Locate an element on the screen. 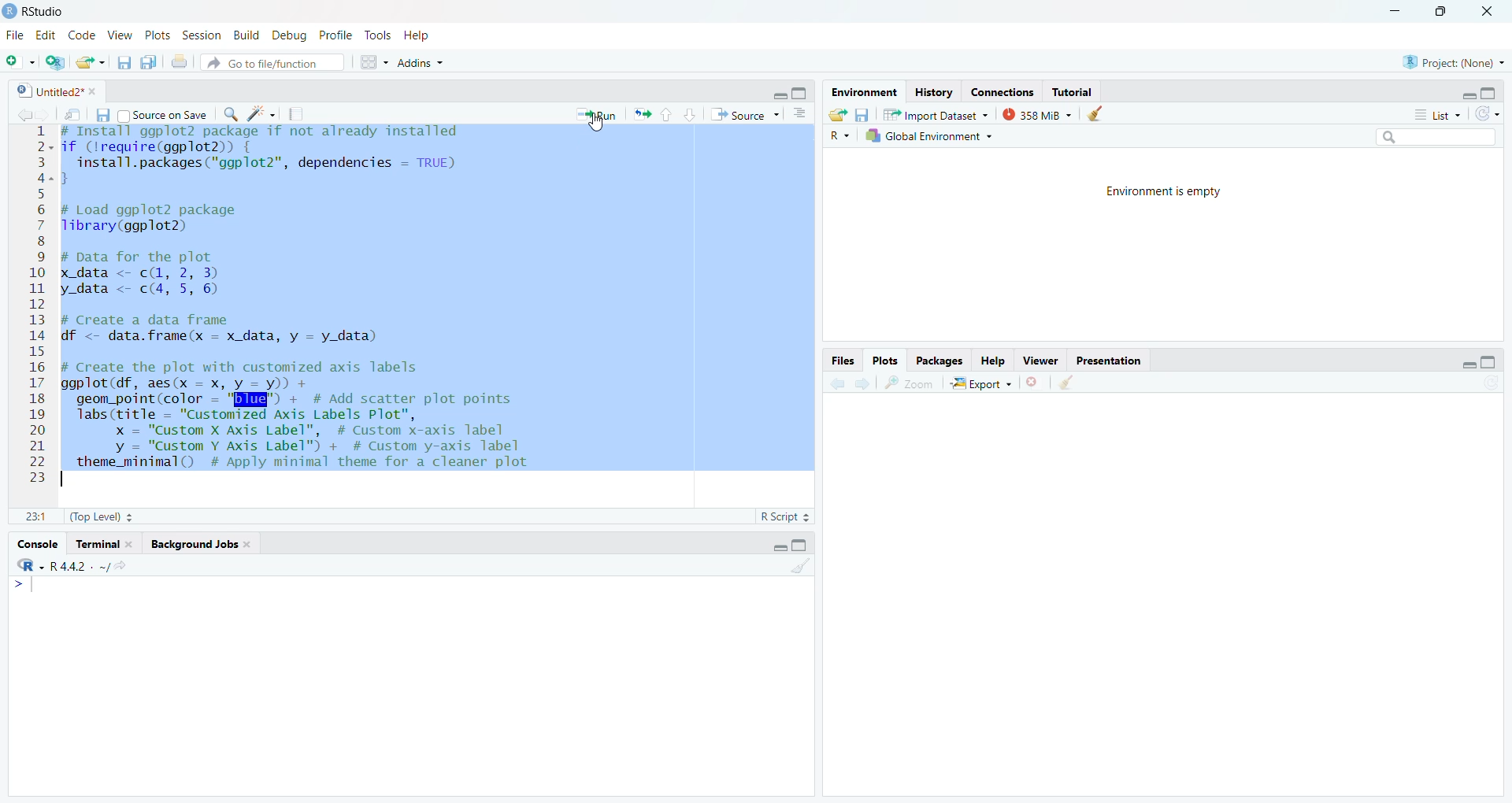  Project: (None) is located at coordinates (1452, 62).